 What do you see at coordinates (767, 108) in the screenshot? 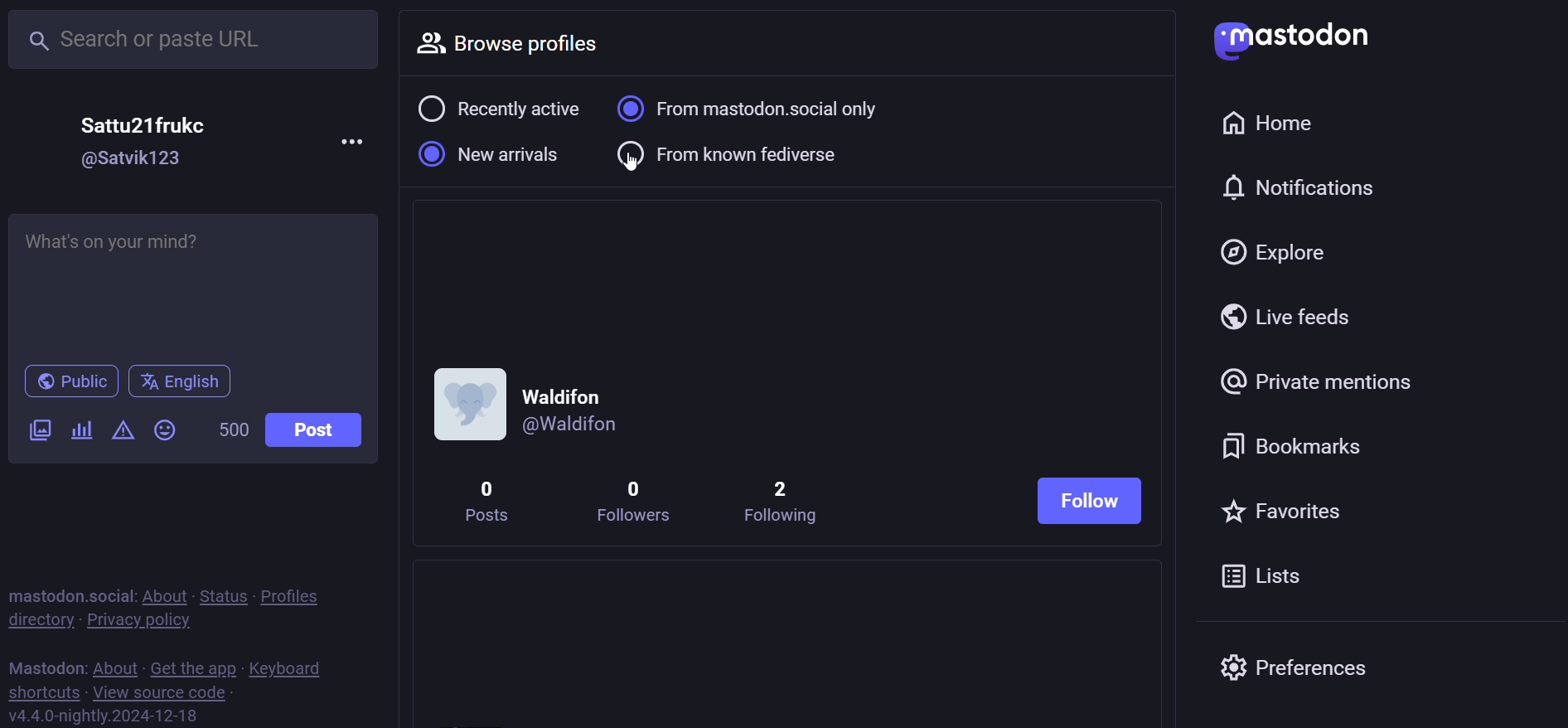
I see `from mastodon social only` at bounding box center [767, 108].